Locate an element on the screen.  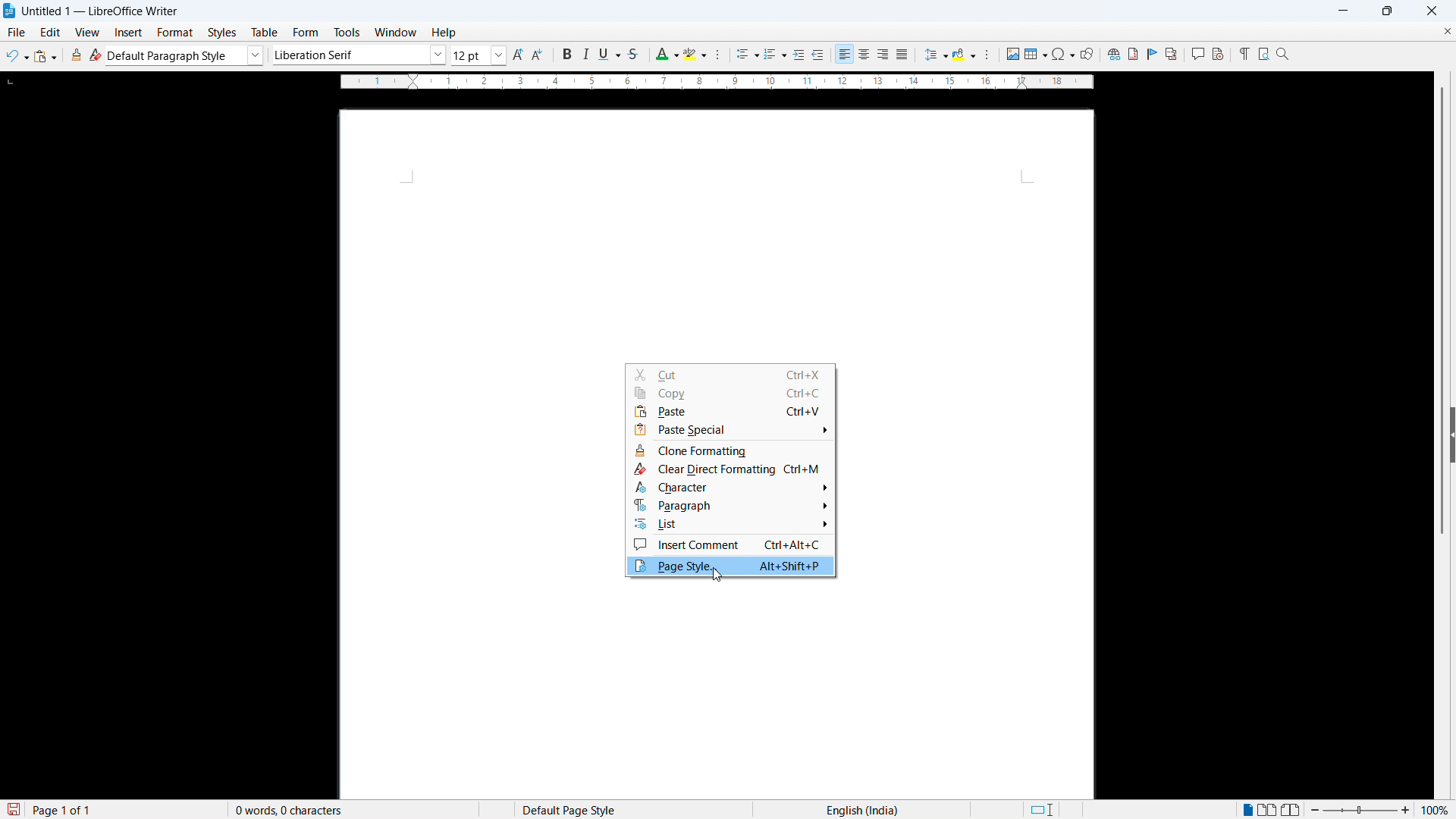
Add table  is located at coordinates (1036, 54).